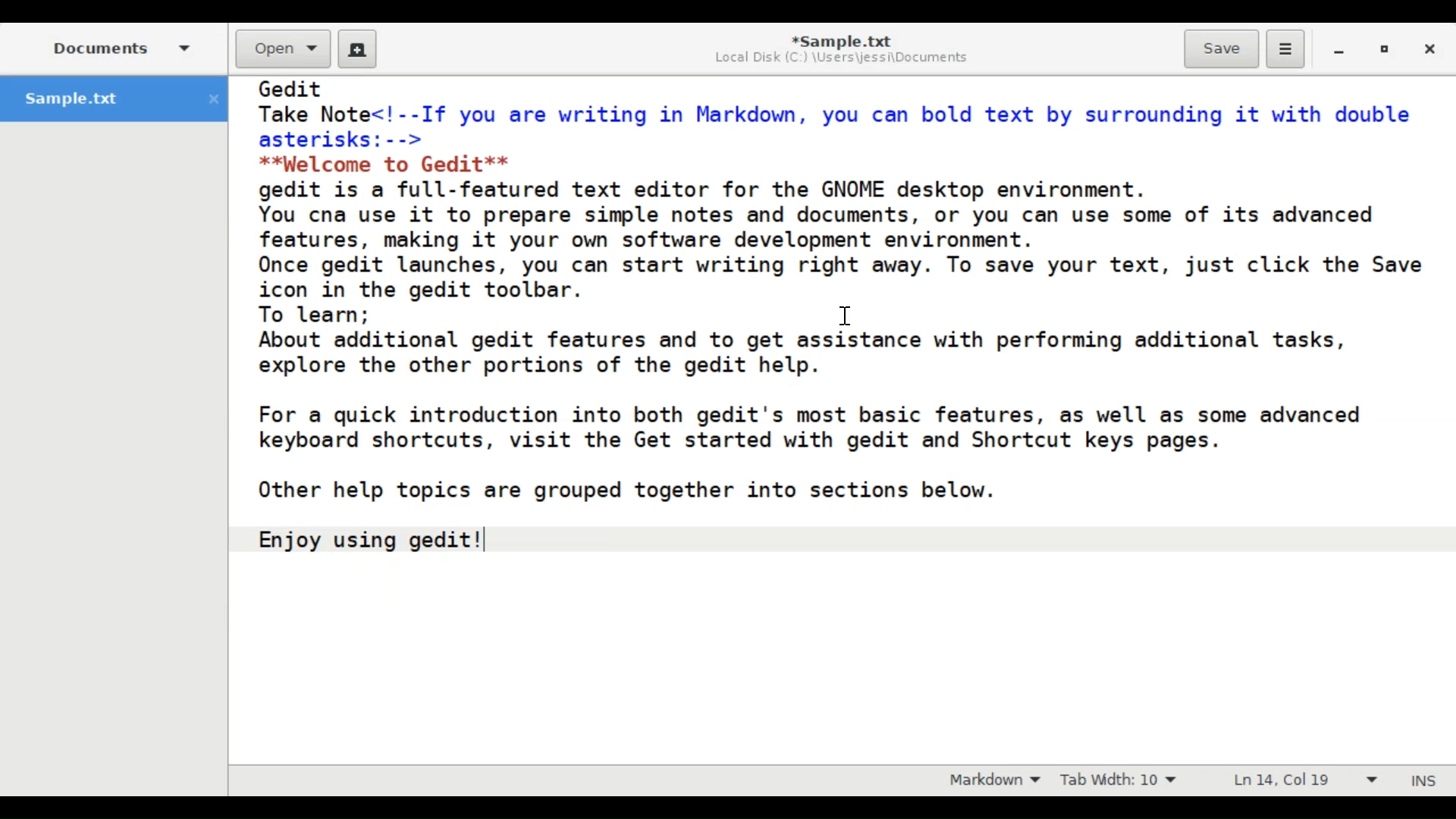 The width and height of the screenshot is (1456, 819). Describe the element at coordinates (1432, 48) in the screenshot. I see `Close` at that location.